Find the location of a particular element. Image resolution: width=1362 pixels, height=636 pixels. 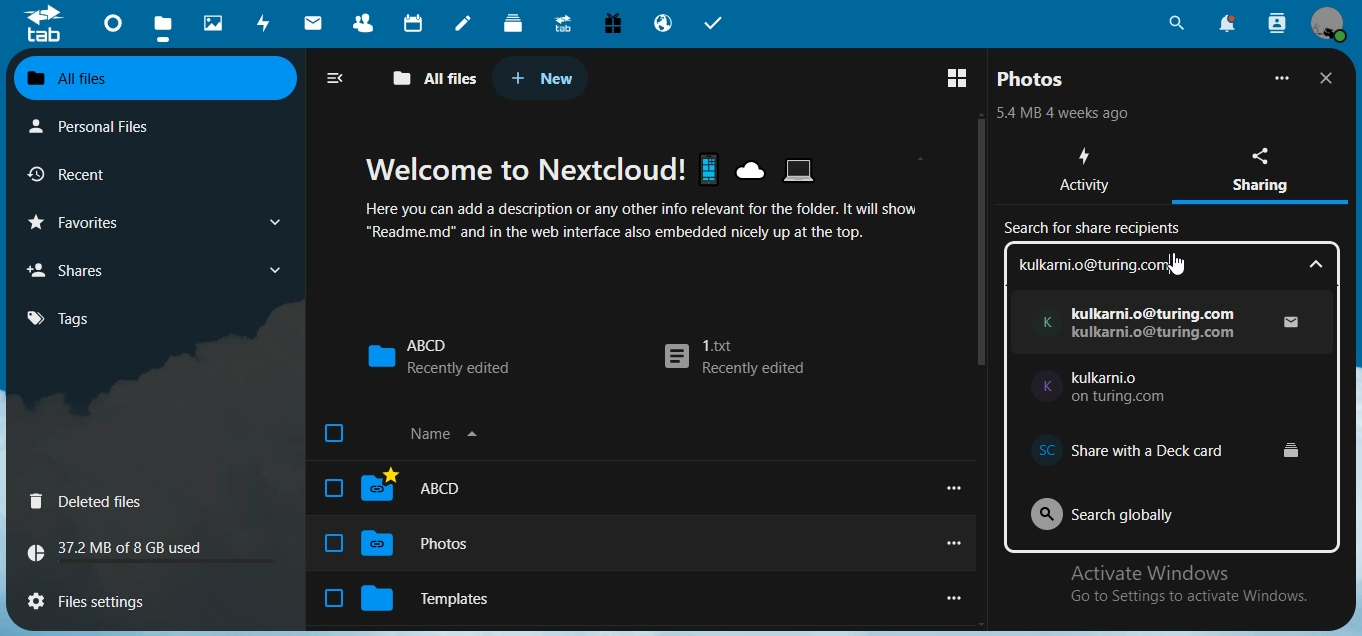

close is located at coordinates (1330, 78).